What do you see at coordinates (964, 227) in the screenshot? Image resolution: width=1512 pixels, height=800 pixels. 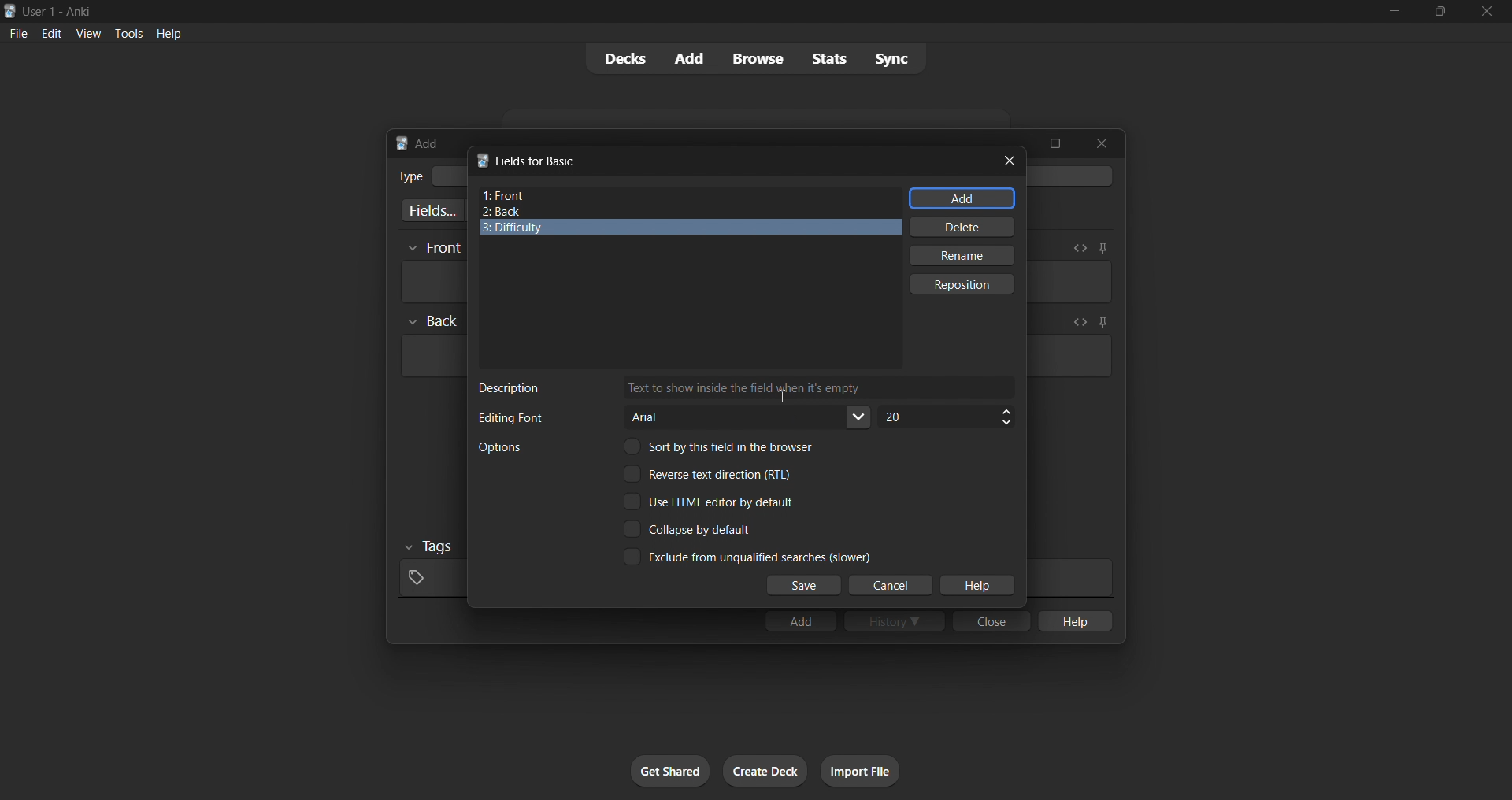 I see `delete` at bounding box center [964, 227].